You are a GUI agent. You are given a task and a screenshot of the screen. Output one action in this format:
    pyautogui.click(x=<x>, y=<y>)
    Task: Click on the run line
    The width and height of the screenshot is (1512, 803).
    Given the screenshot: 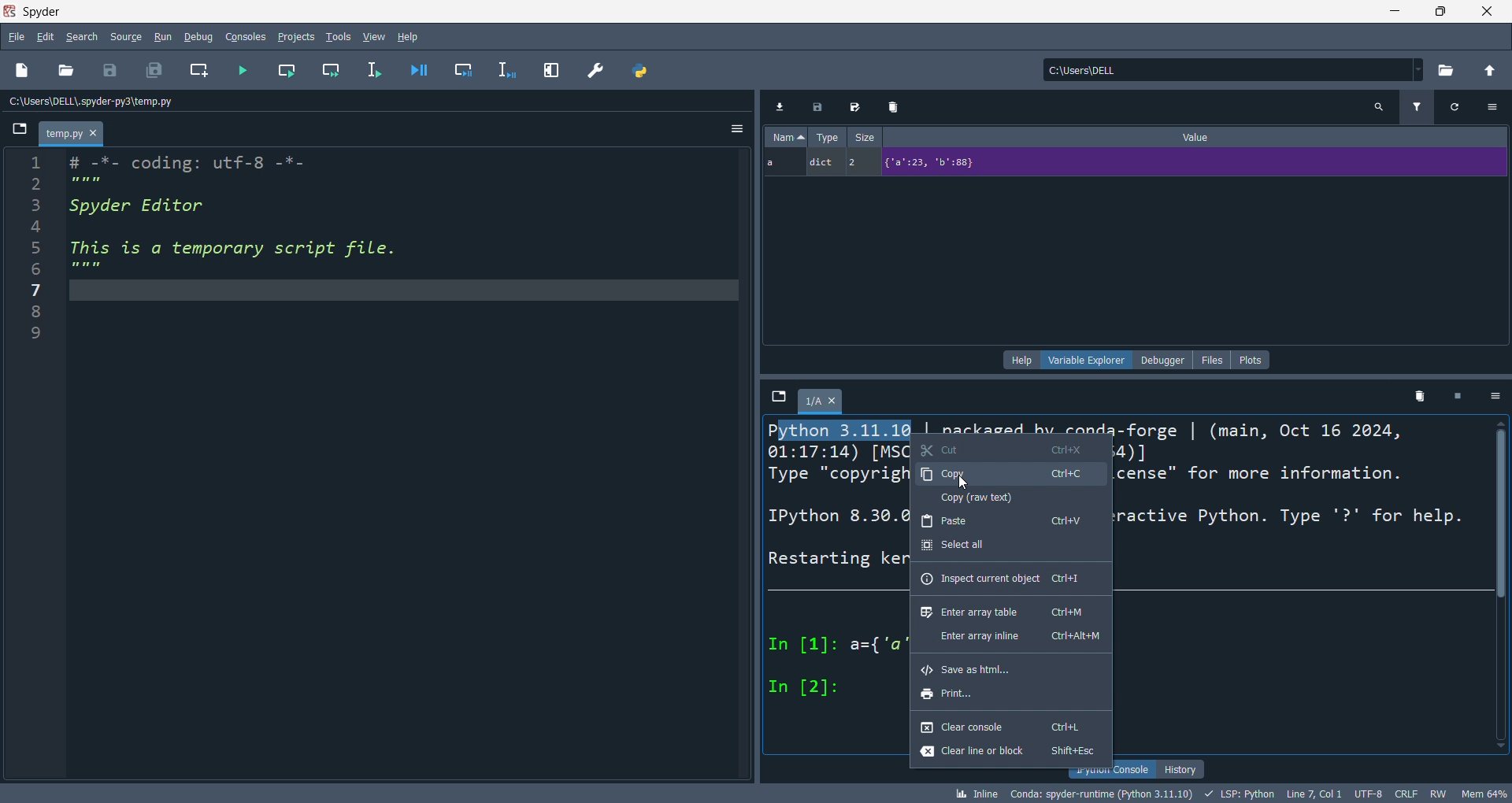 What is the action you would take?
    pyautogui.click(x=380, y=73)
    